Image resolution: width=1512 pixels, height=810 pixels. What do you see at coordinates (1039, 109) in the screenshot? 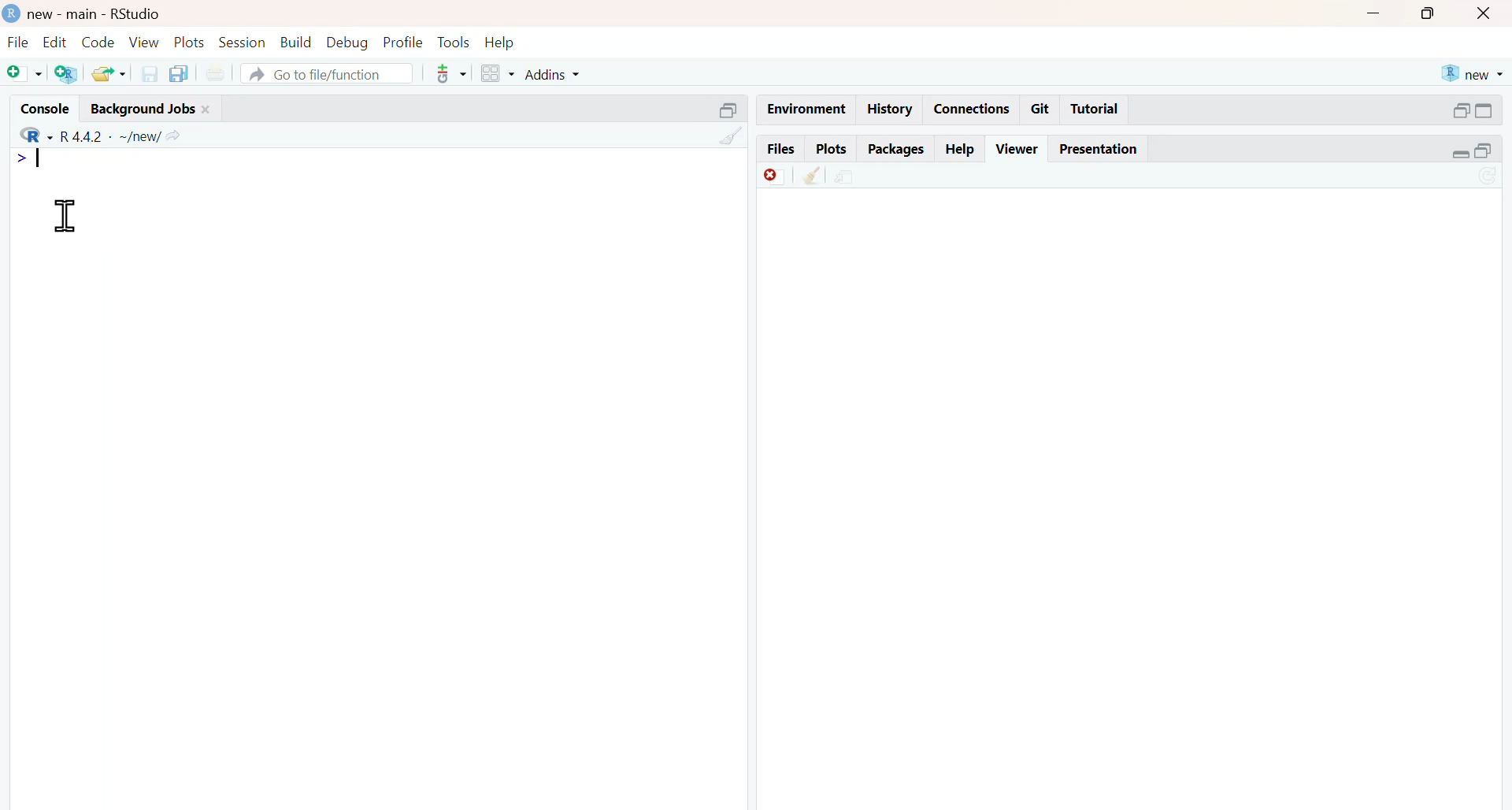
I see `git` at bounding box center [1039, 109].